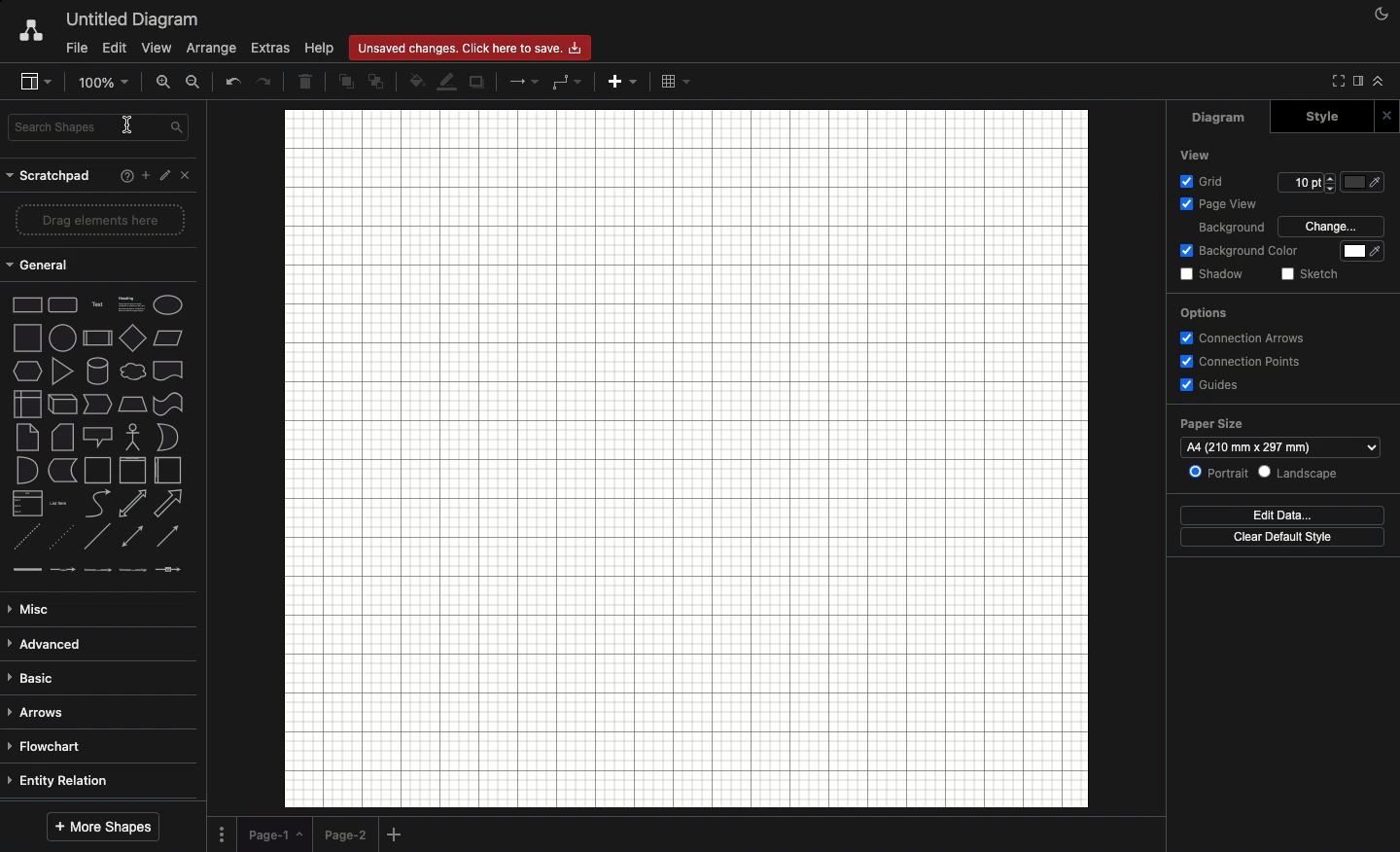 The width and height of the screenshot is (1400, 852). I want to click on Basic, so click(34, 678).